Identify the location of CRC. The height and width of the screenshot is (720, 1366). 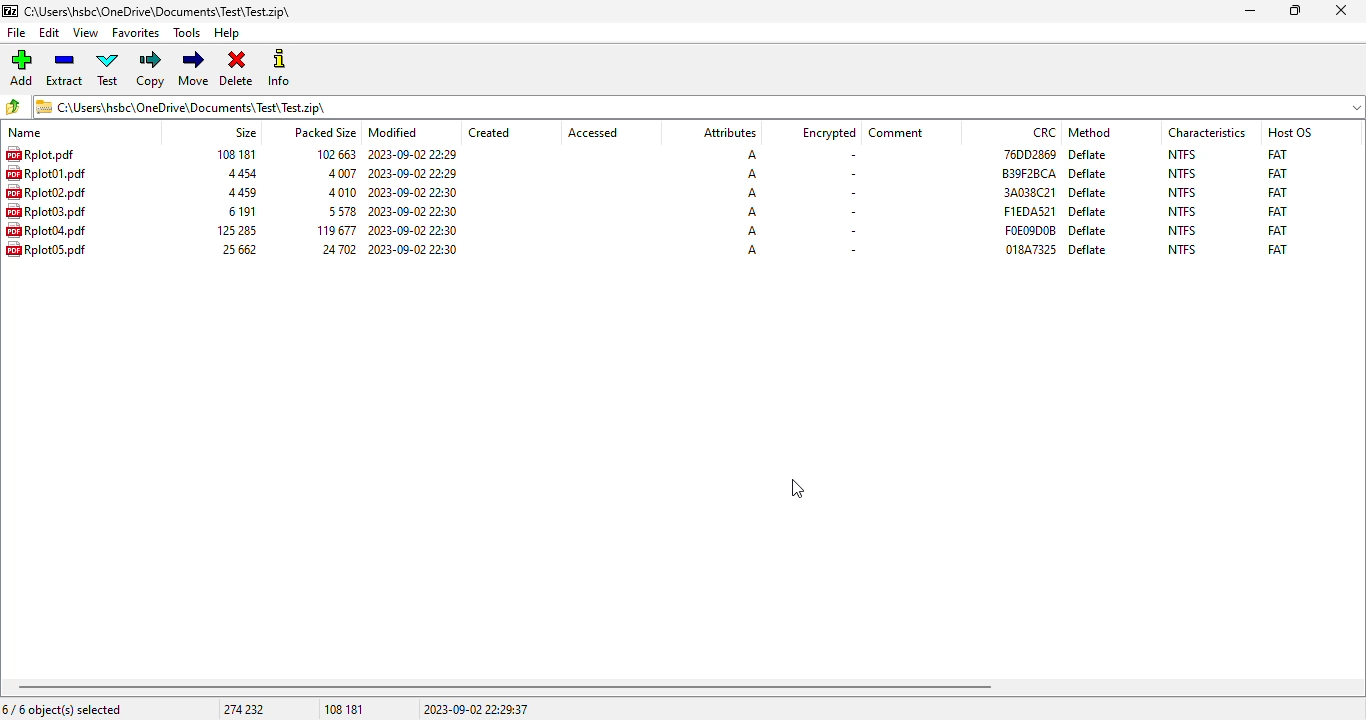
(1029, 211).